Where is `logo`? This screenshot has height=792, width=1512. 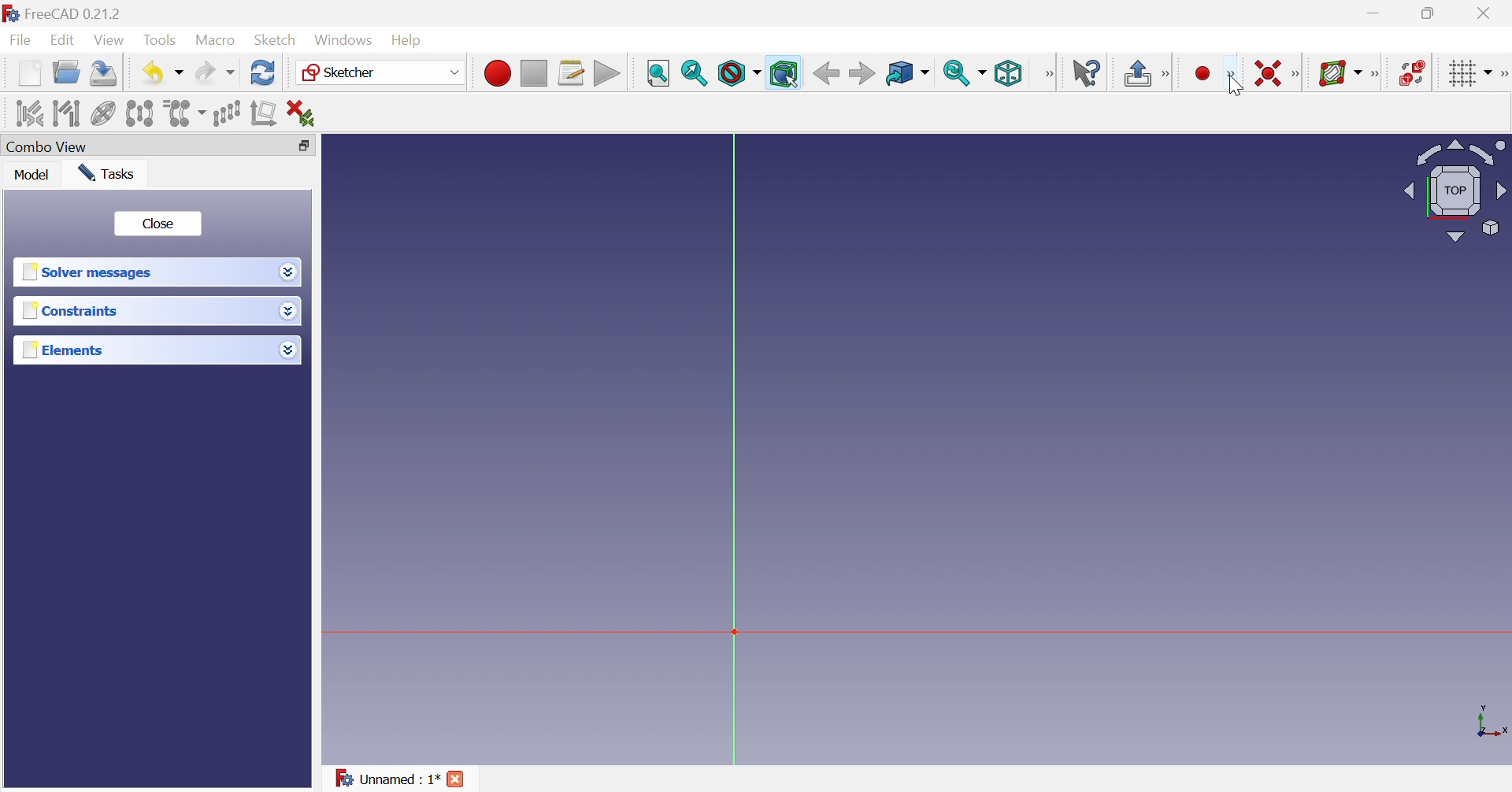 logo is located at coordinates (10, 13).